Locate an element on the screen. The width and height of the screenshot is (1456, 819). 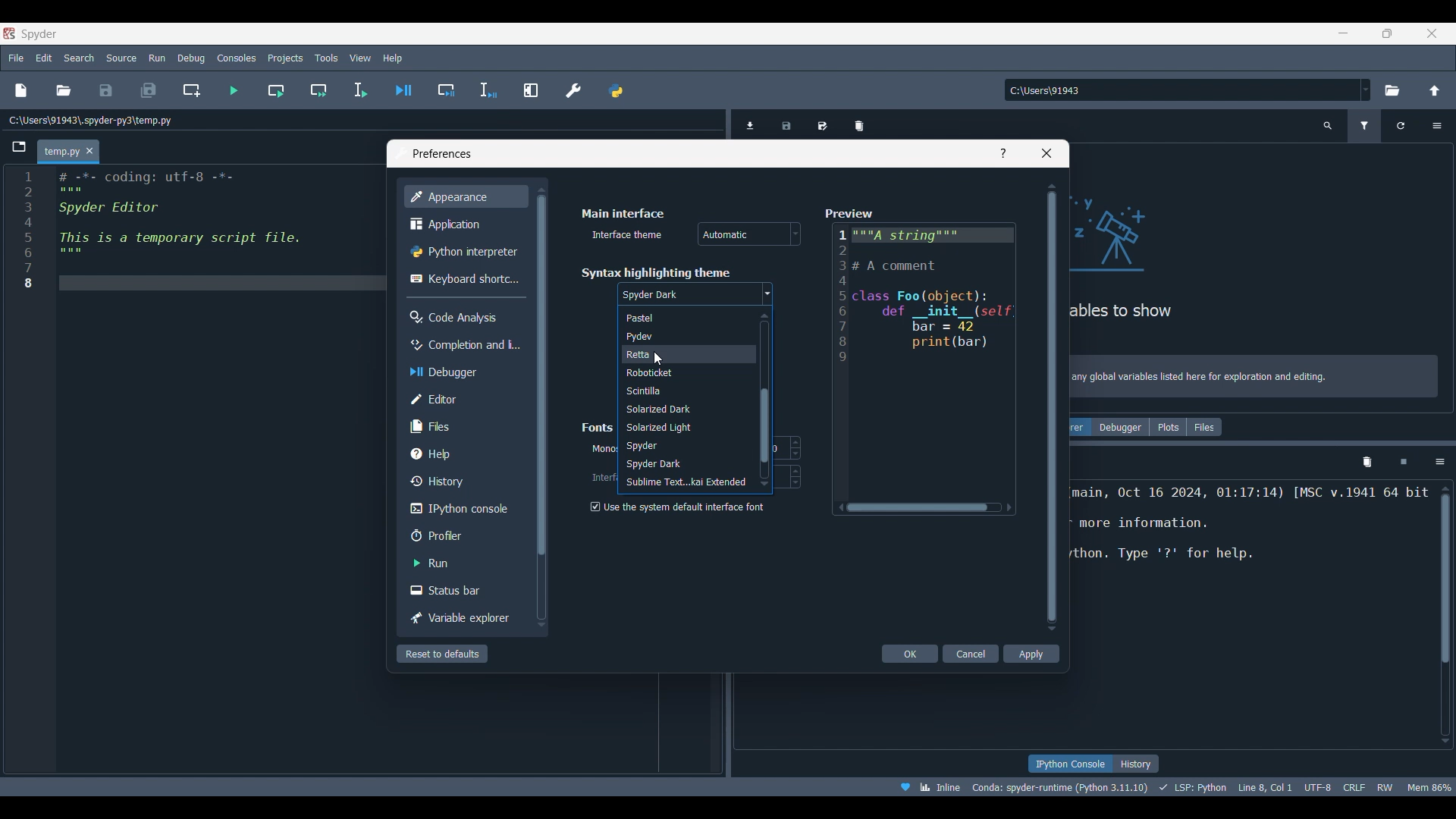
Profiler is located at coordinates (465, 535).